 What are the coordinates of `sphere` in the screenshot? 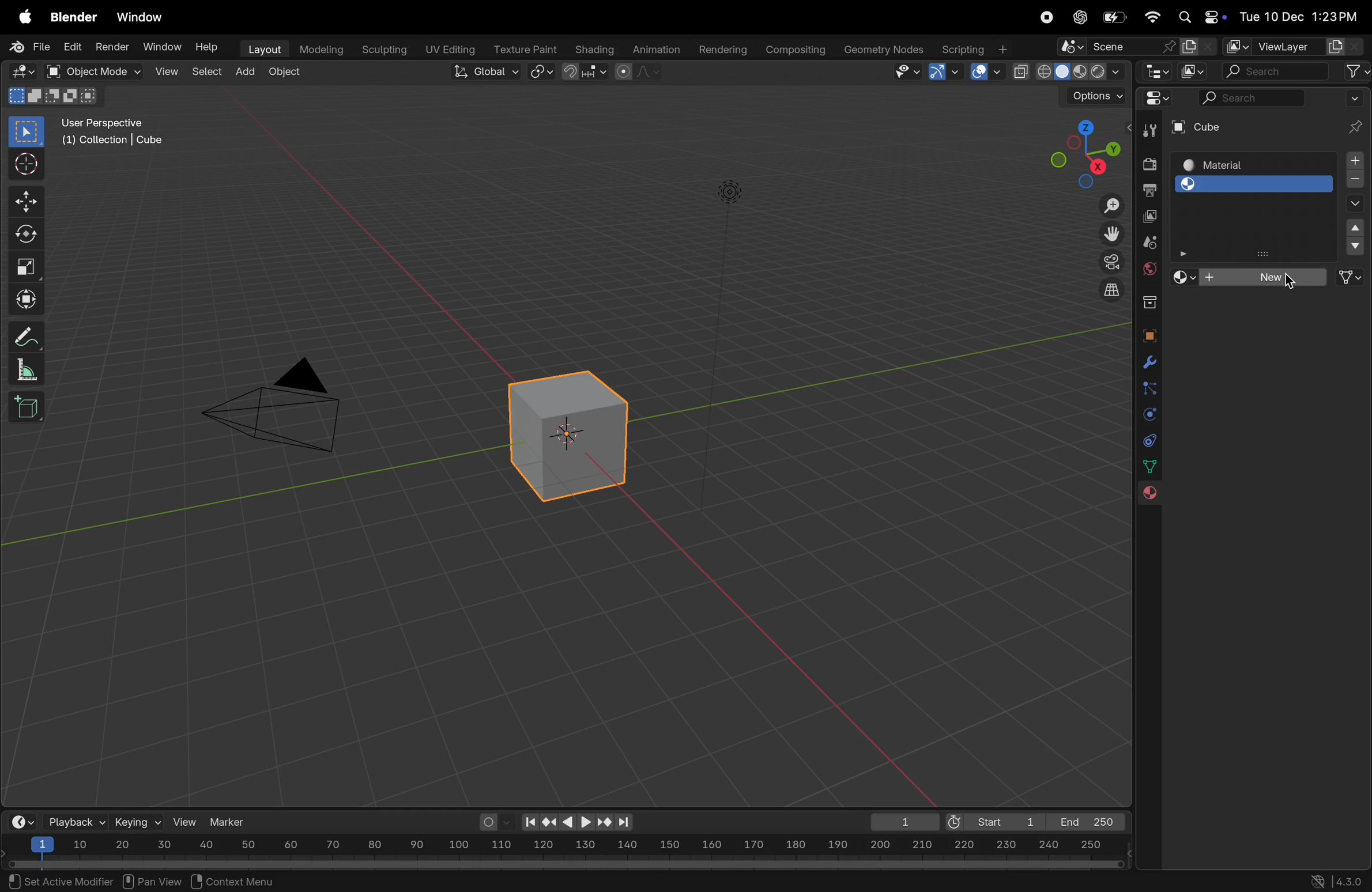 It's located at (1256, 183).